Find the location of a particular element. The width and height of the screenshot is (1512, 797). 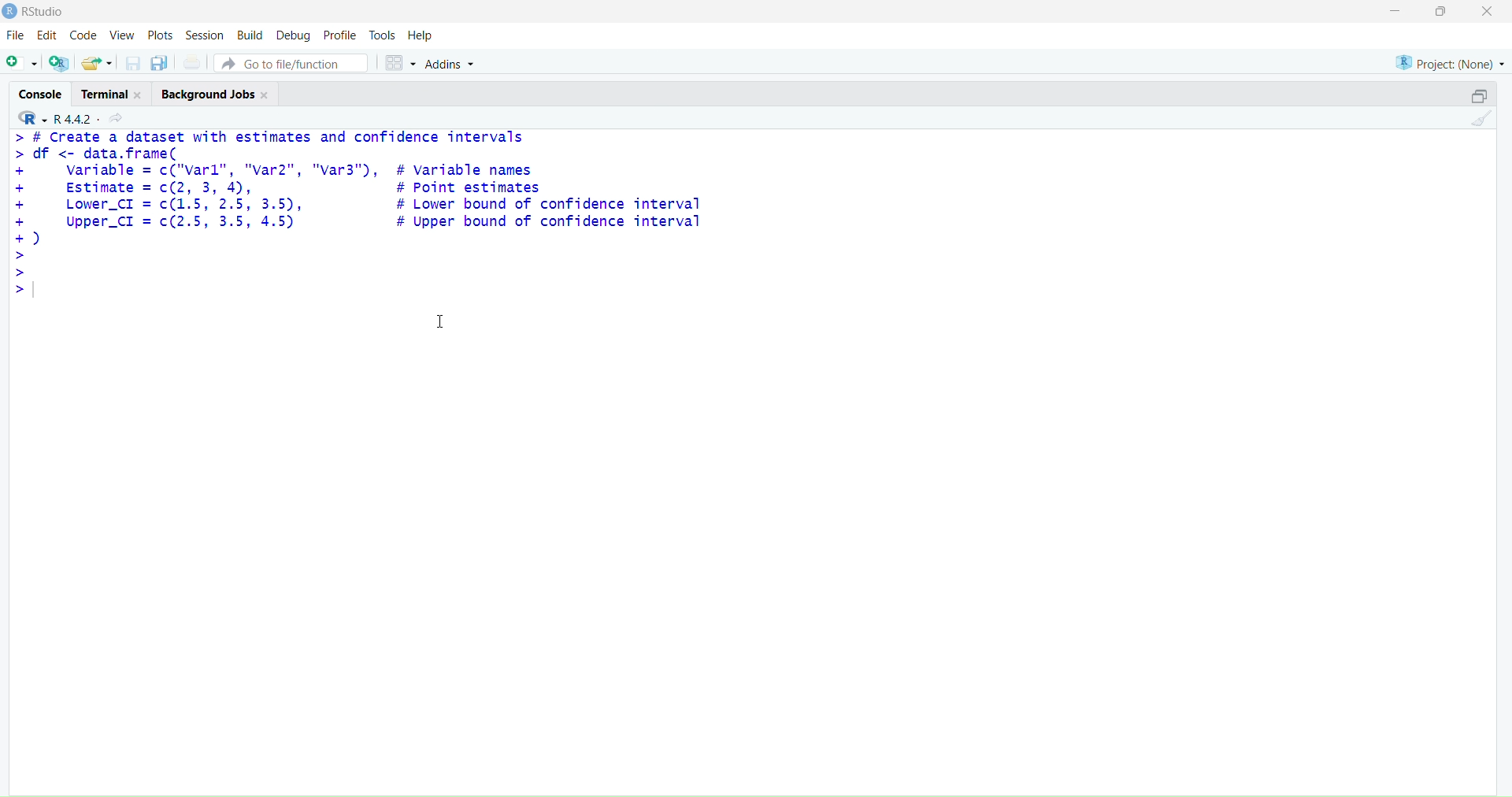

print is located at coordinates (191, 63).